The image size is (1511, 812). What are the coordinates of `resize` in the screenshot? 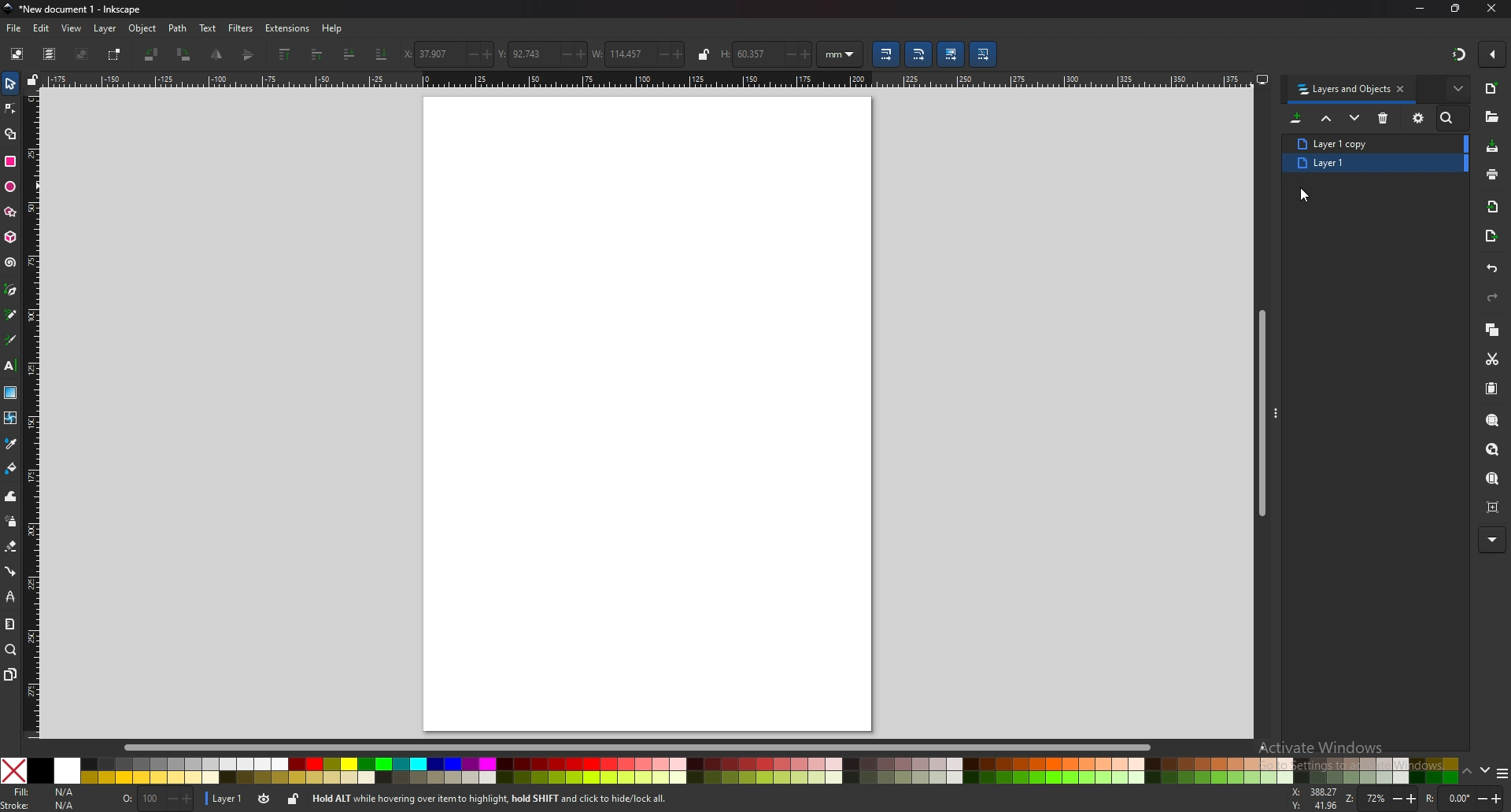 It's located at (1456, 8).